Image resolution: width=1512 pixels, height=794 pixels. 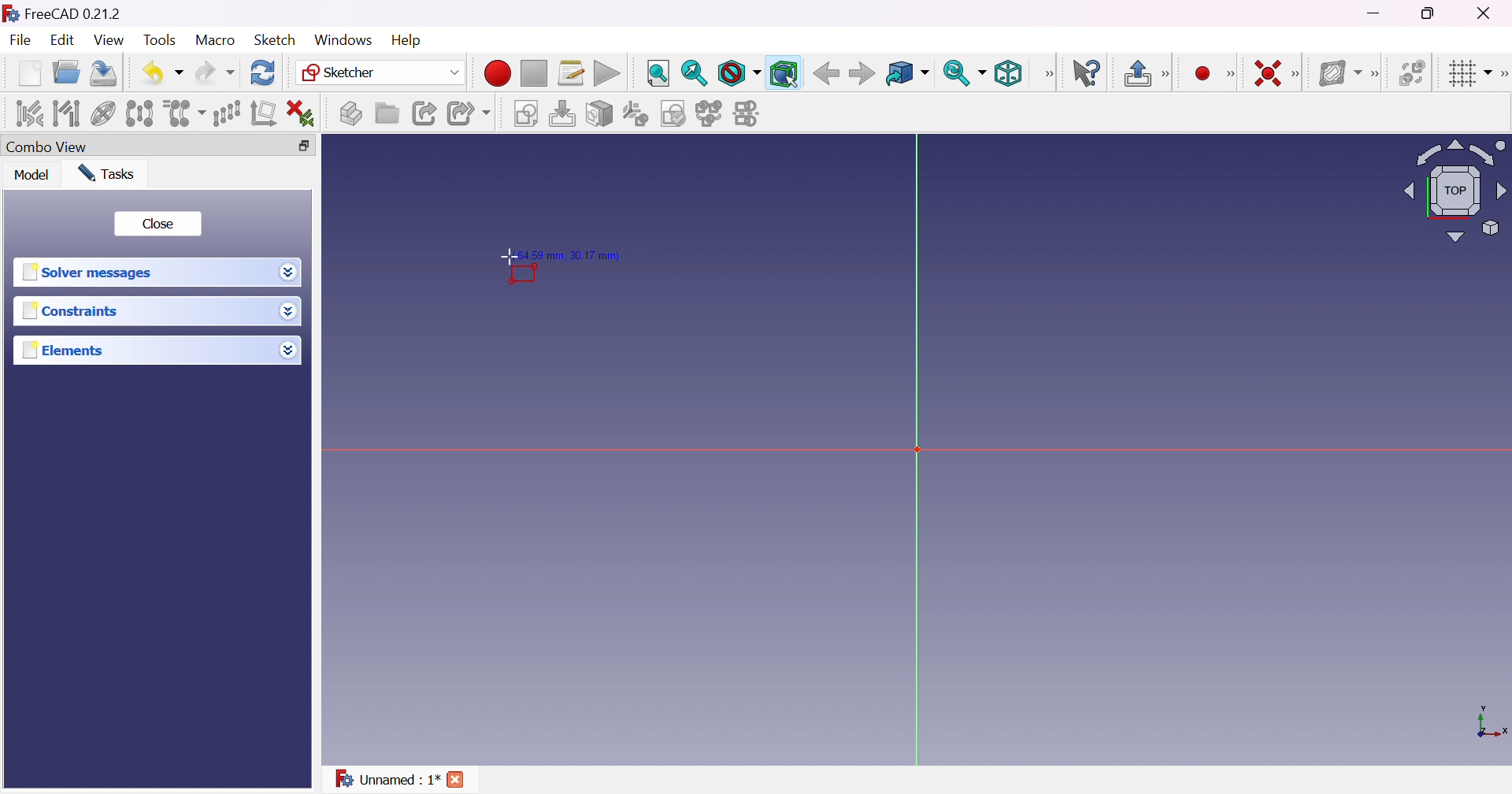 I want to click on File, so click(x=20, y=39).